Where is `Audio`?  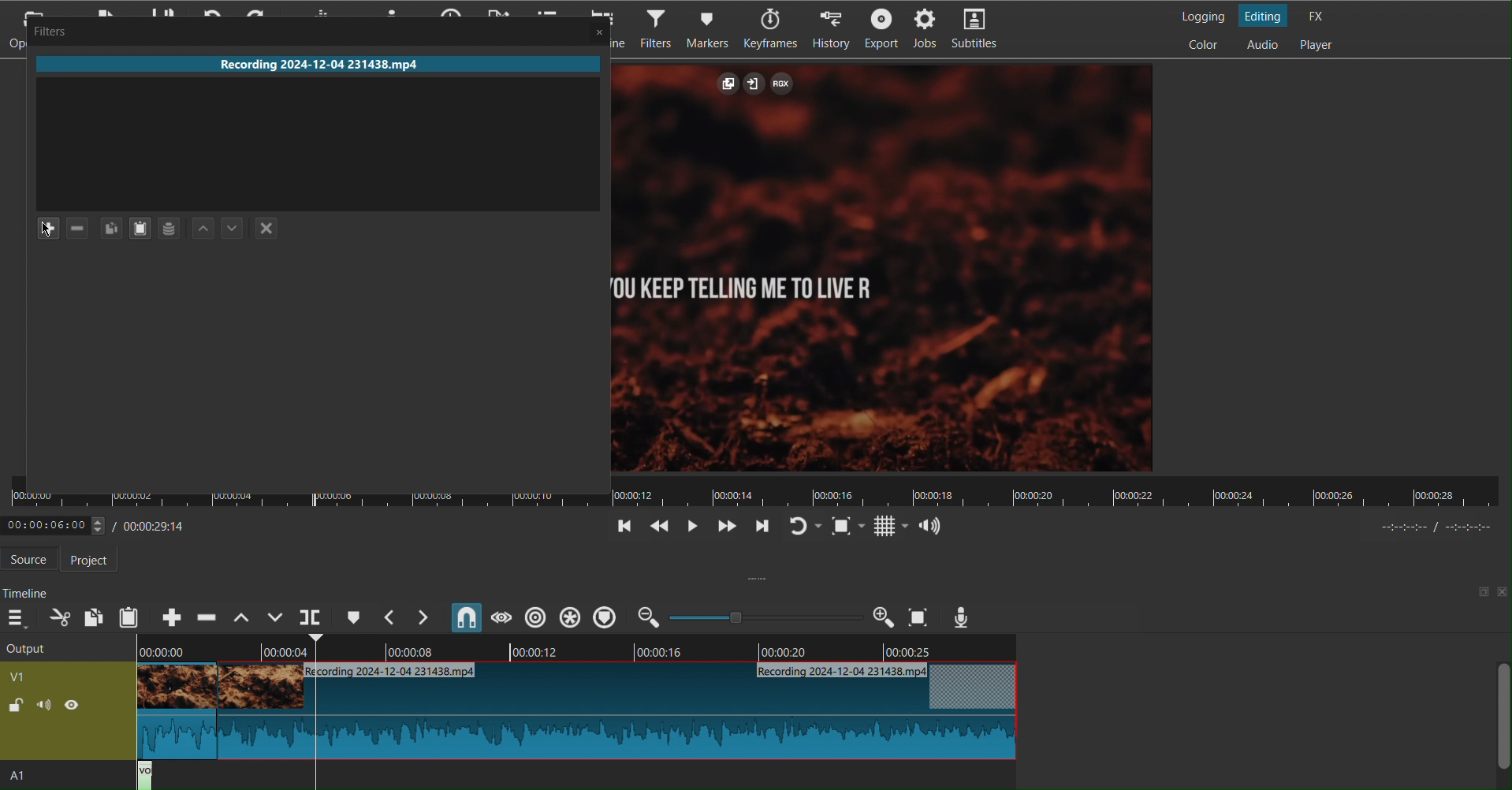 Audio is located at coordinates (931, 524).